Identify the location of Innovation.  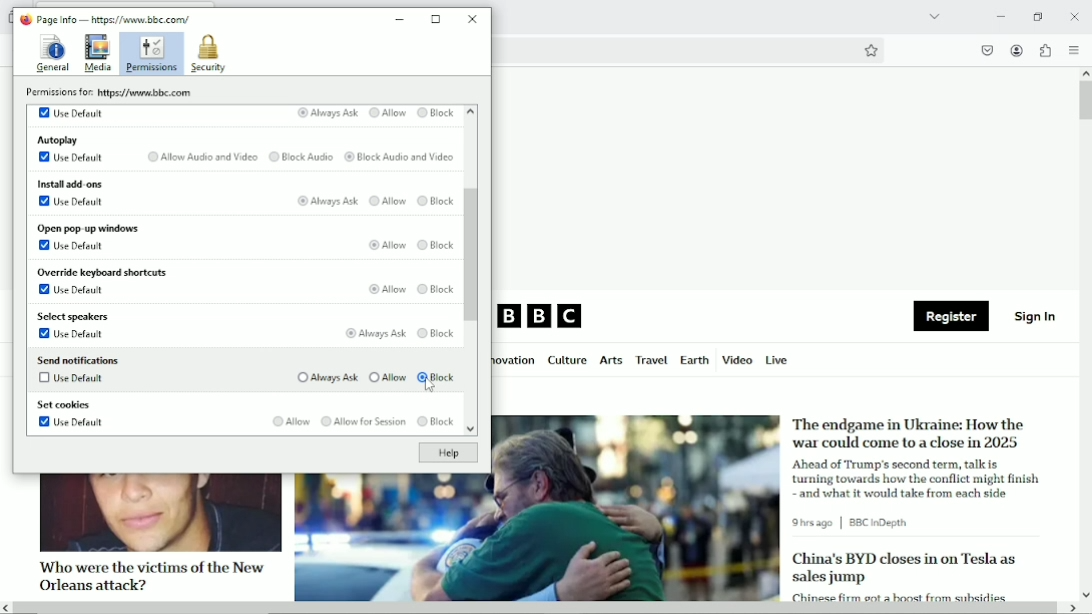
(515, 361).